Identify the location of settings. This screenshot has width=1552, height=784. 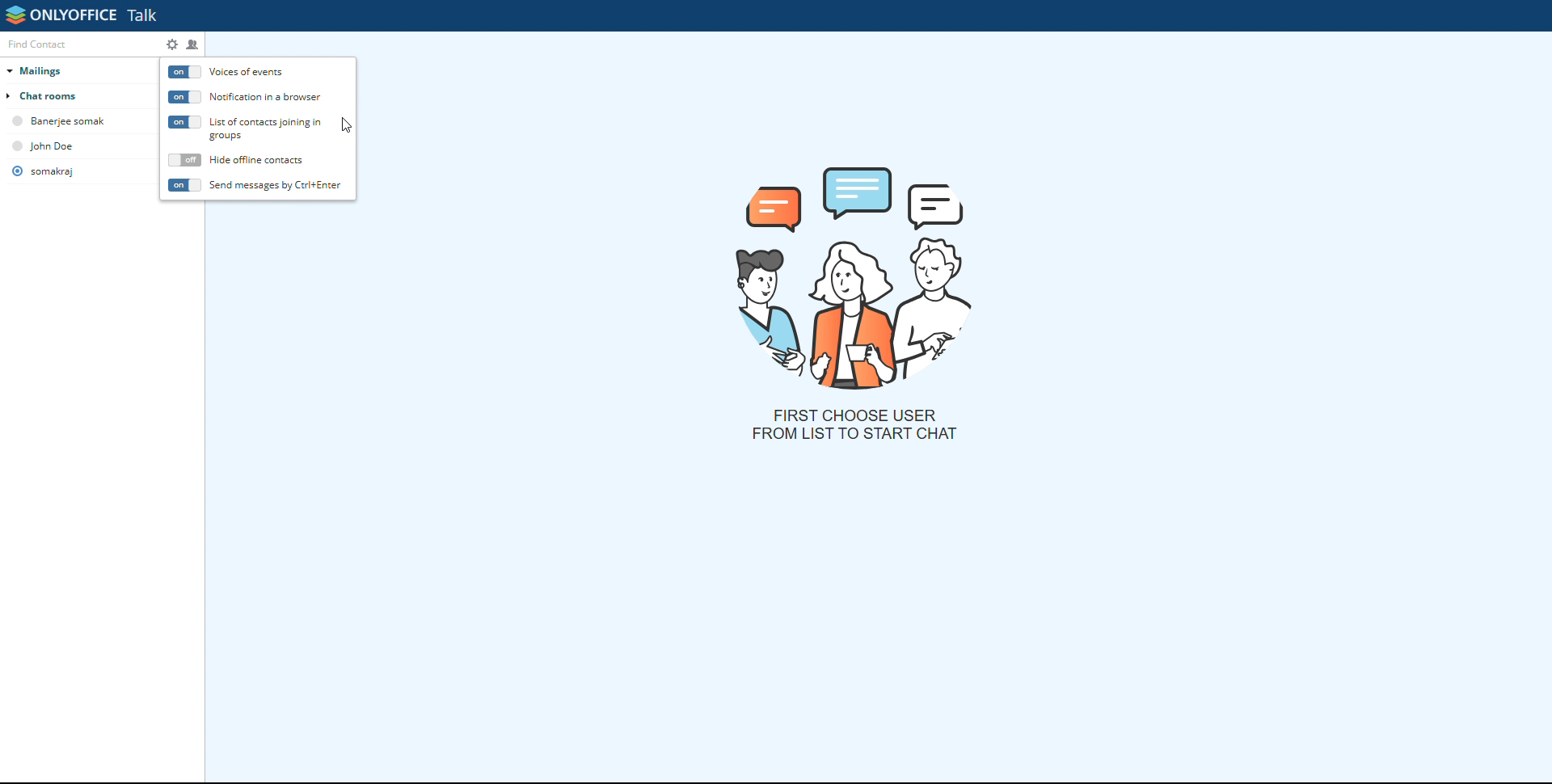
(171, 44).